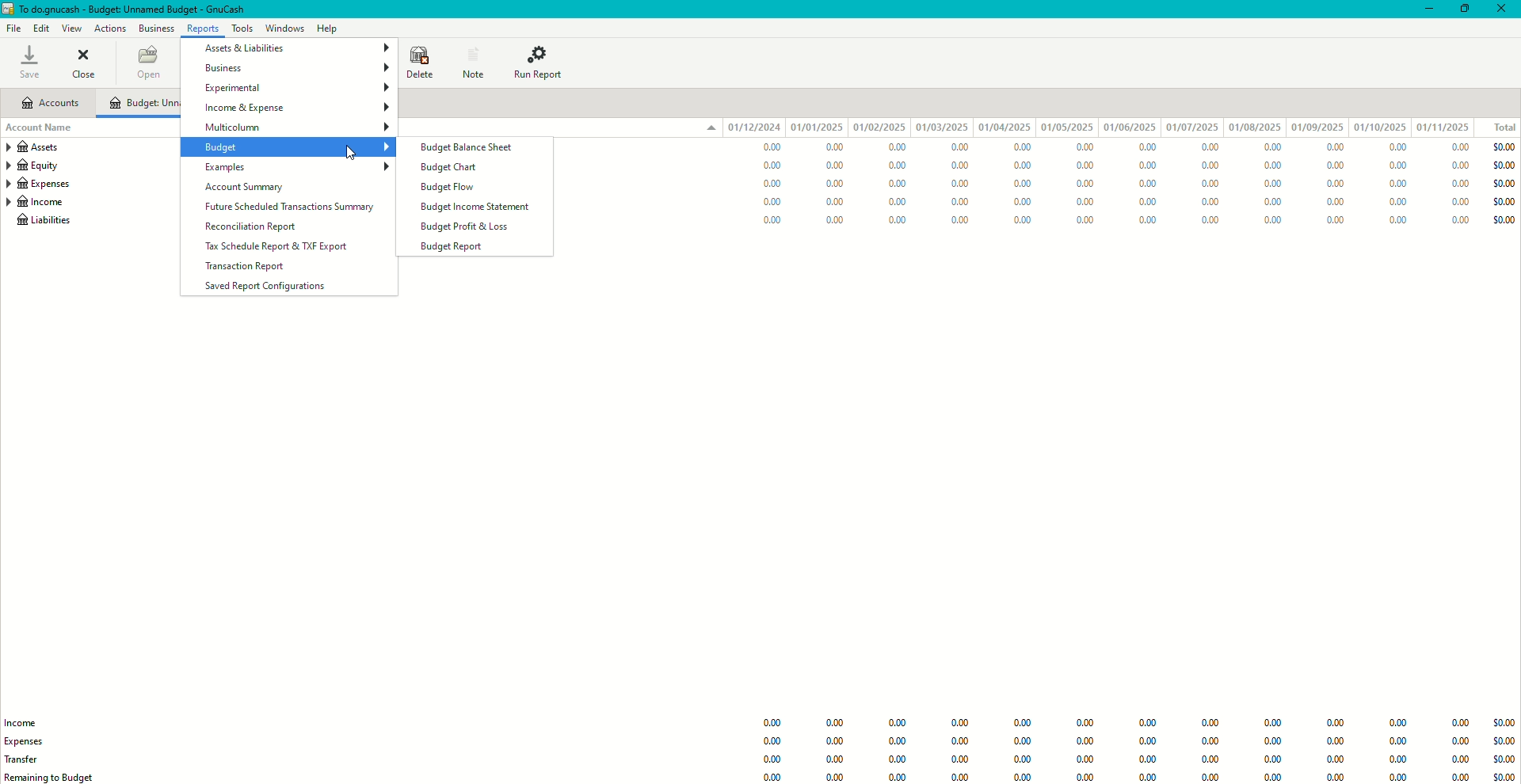 The width and height of the screenshot is (1521, 784). Describe the element at coordinates (1191, 127) in the screenshot. I see `01/07/2025` at that location.